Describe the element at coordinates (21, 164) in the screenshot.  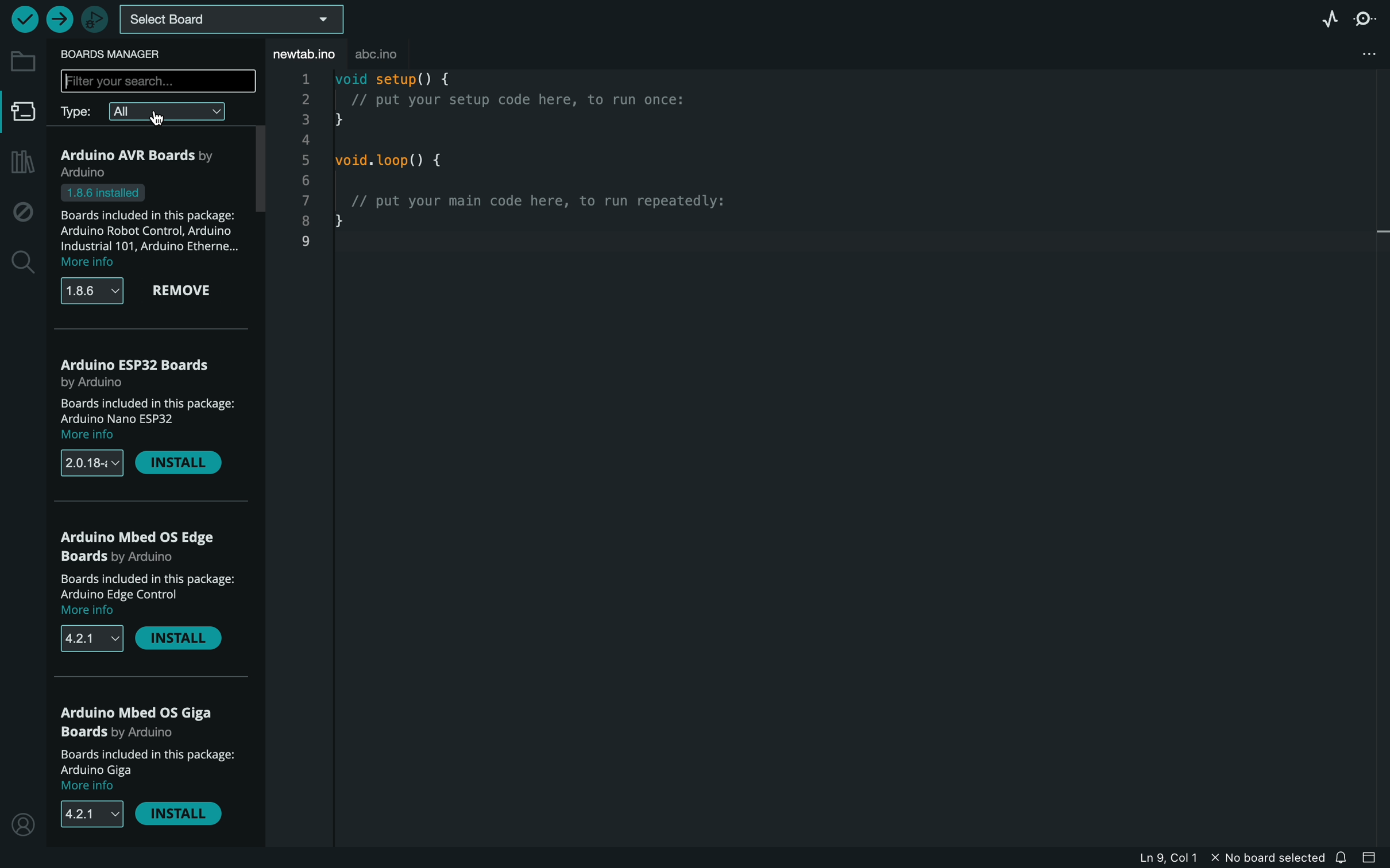
I see `library manager` at that location.